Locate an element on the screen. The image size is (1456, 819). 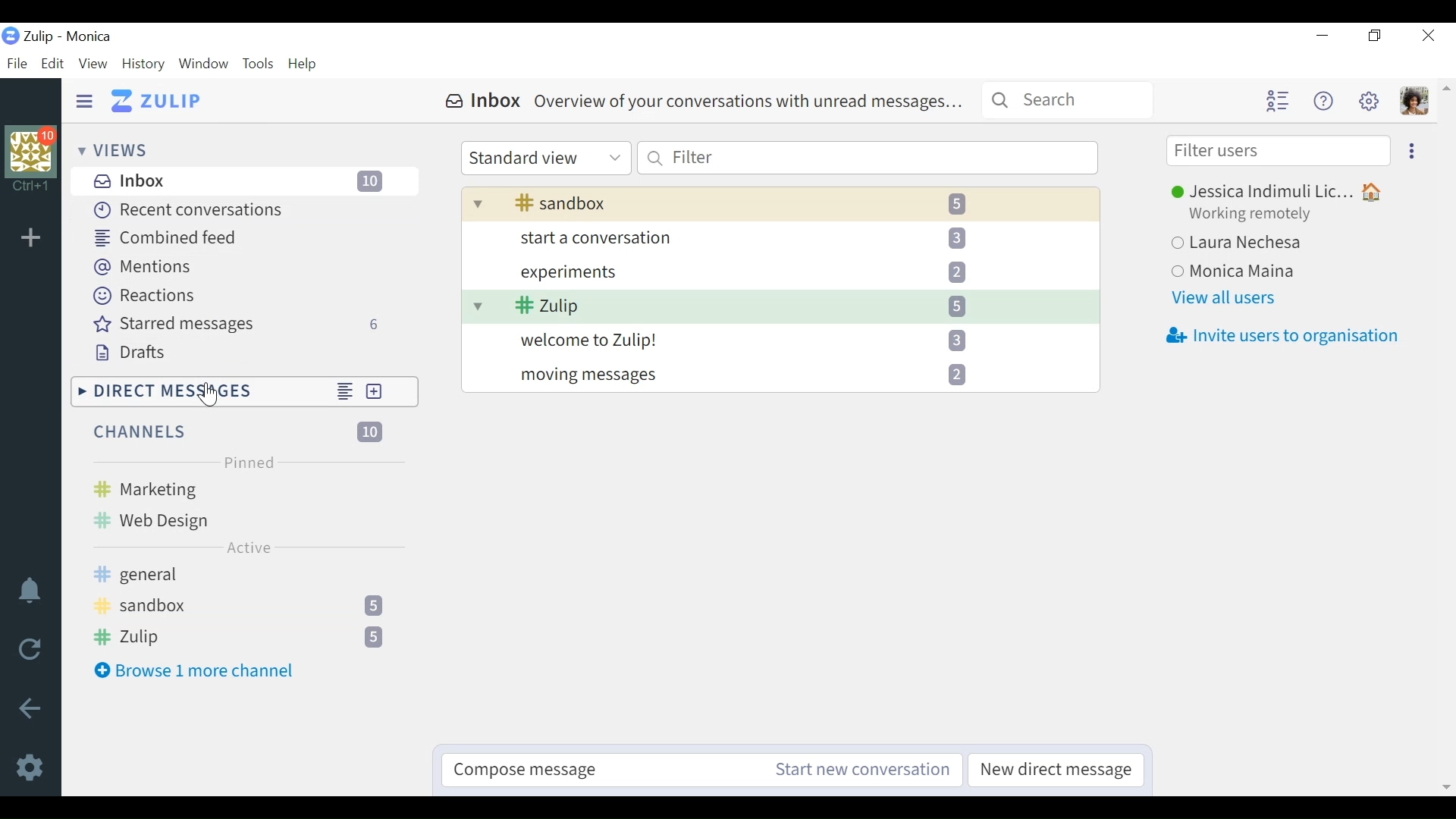
Recent conversations is located at coordinates (202, 211).